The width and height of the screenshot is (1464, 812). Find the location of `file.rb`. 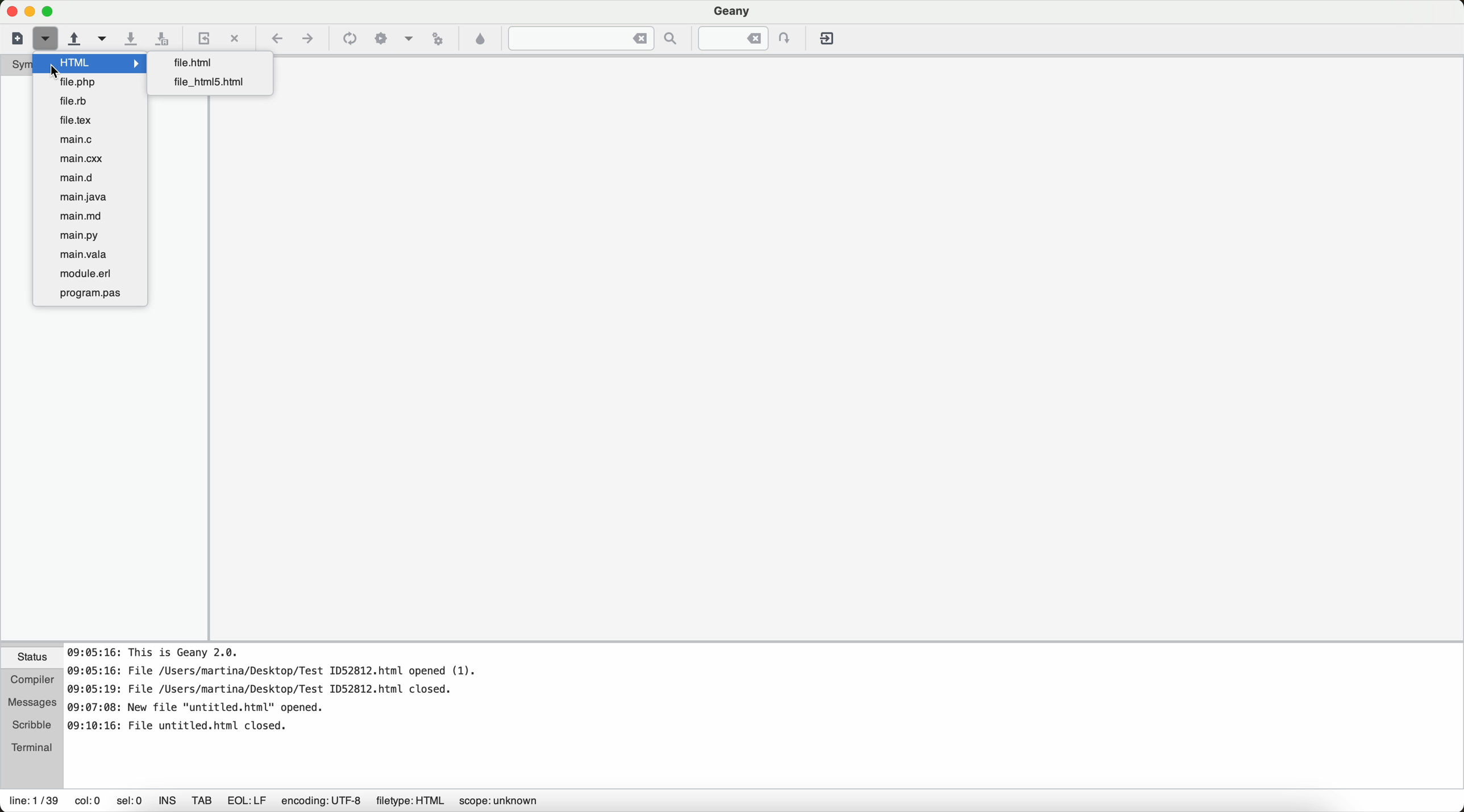

file.rb is located at coordinates (90, 99).